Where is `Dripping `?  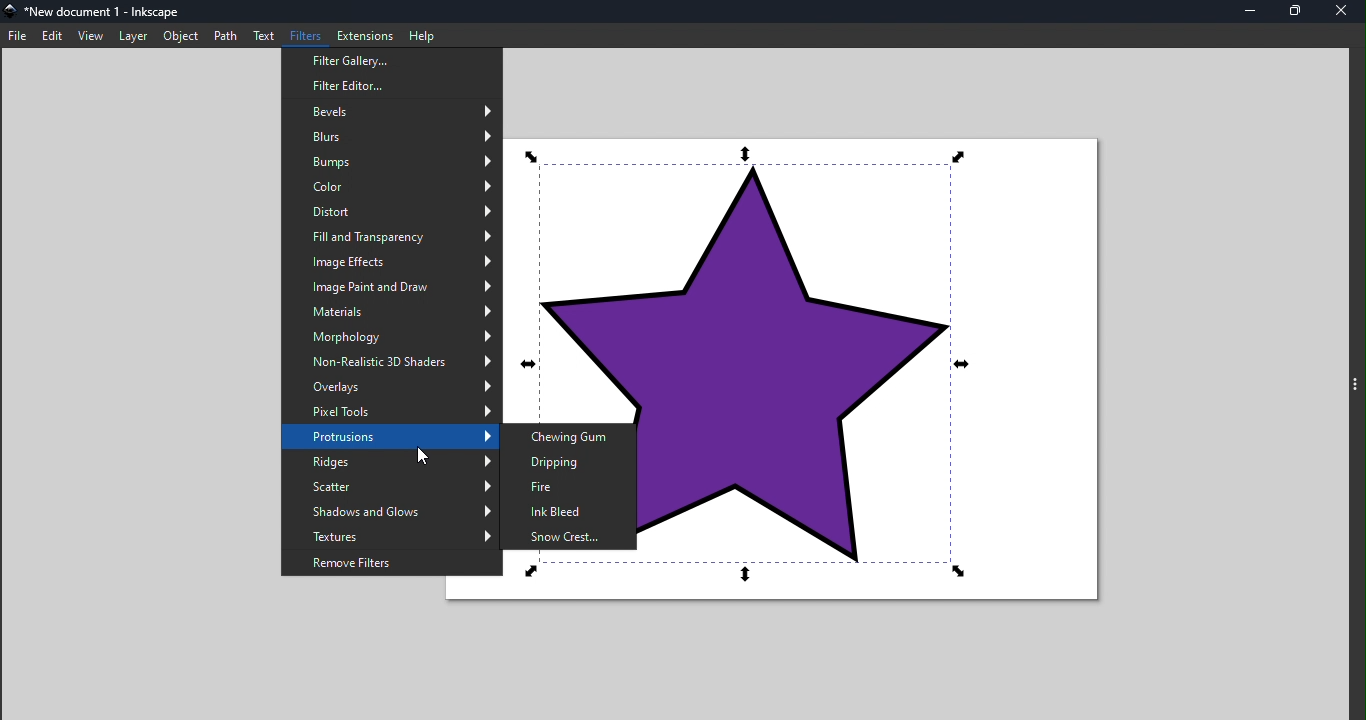 Dripping  is located at coordinates (569, 464).